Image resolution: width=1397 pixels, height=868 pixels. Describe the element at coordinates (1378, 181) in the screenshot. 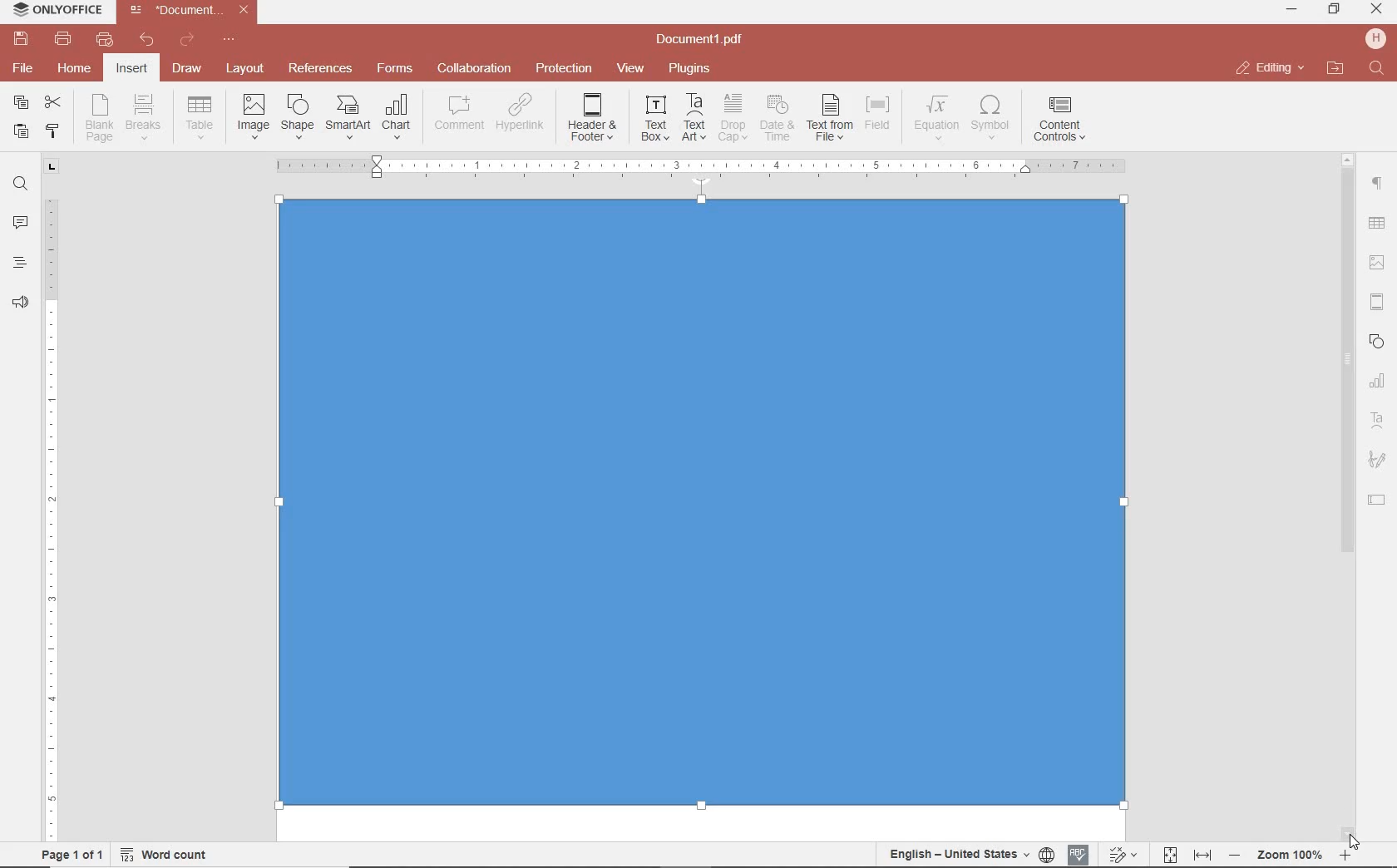

I see `paragraph setting` at that location.